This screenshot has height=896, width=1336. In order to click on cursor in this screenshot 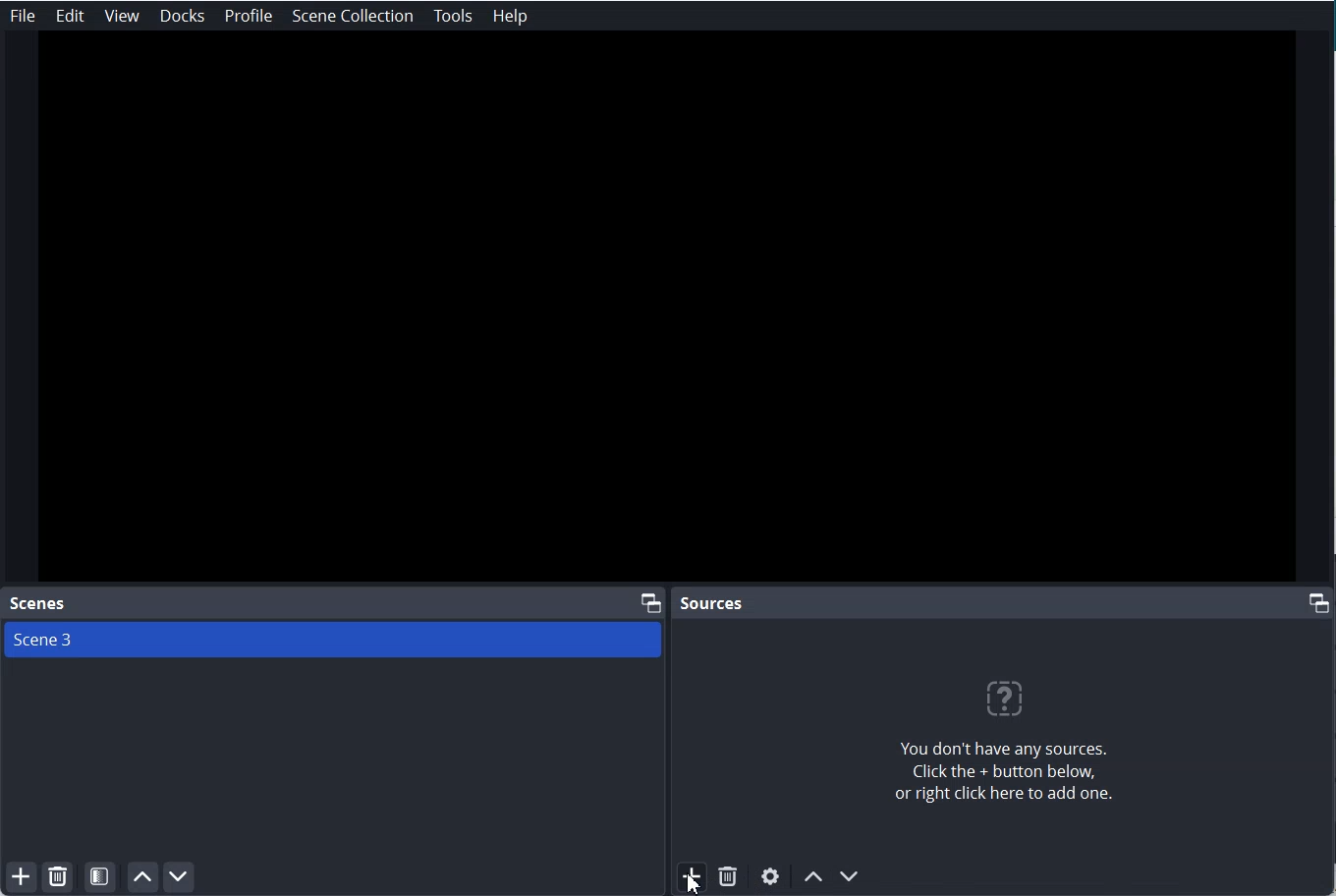, I will do `click(694, 880)`.